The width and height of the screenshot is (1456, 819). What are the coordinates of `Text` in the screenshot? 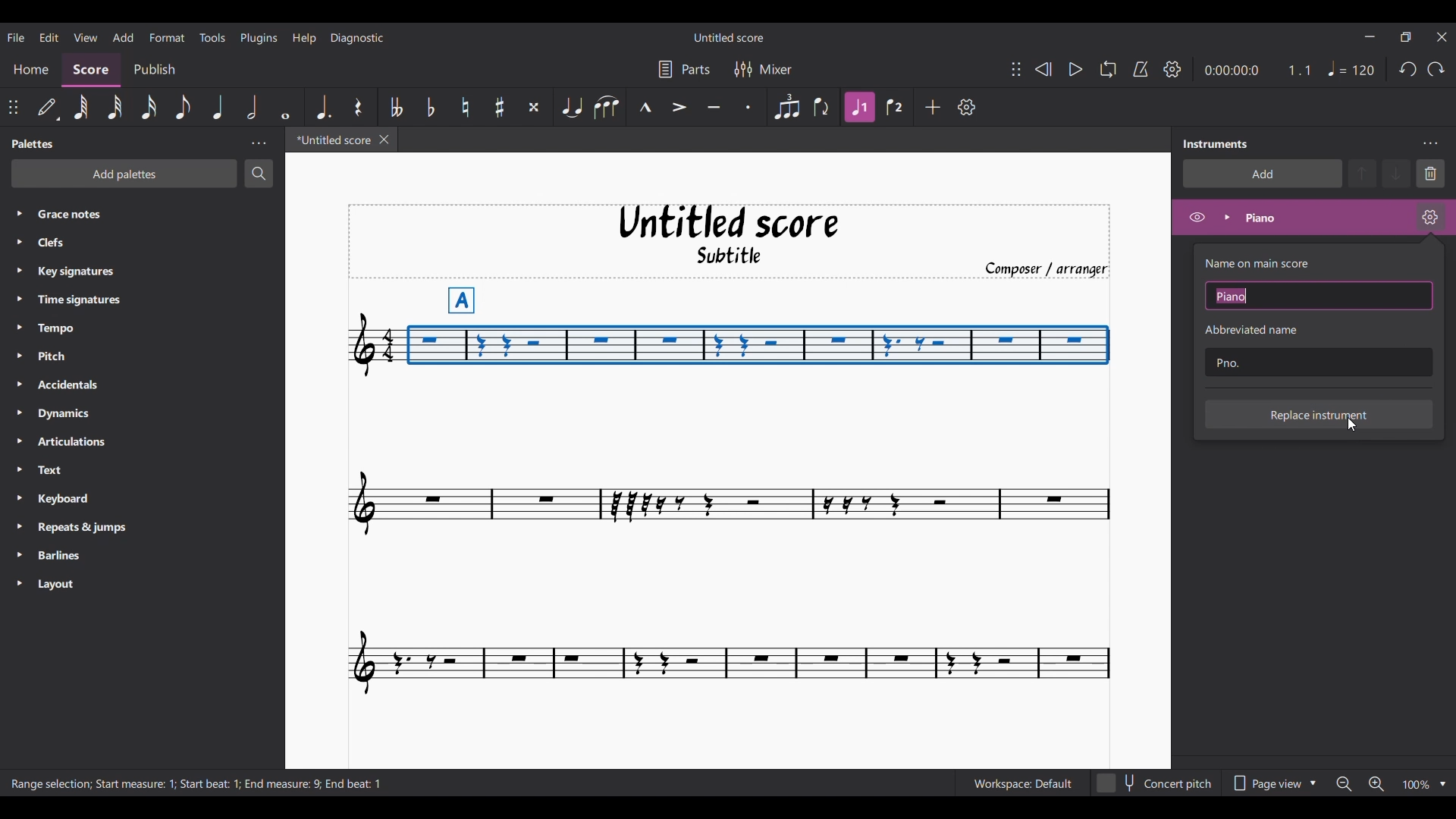 It's located at (80, 471).